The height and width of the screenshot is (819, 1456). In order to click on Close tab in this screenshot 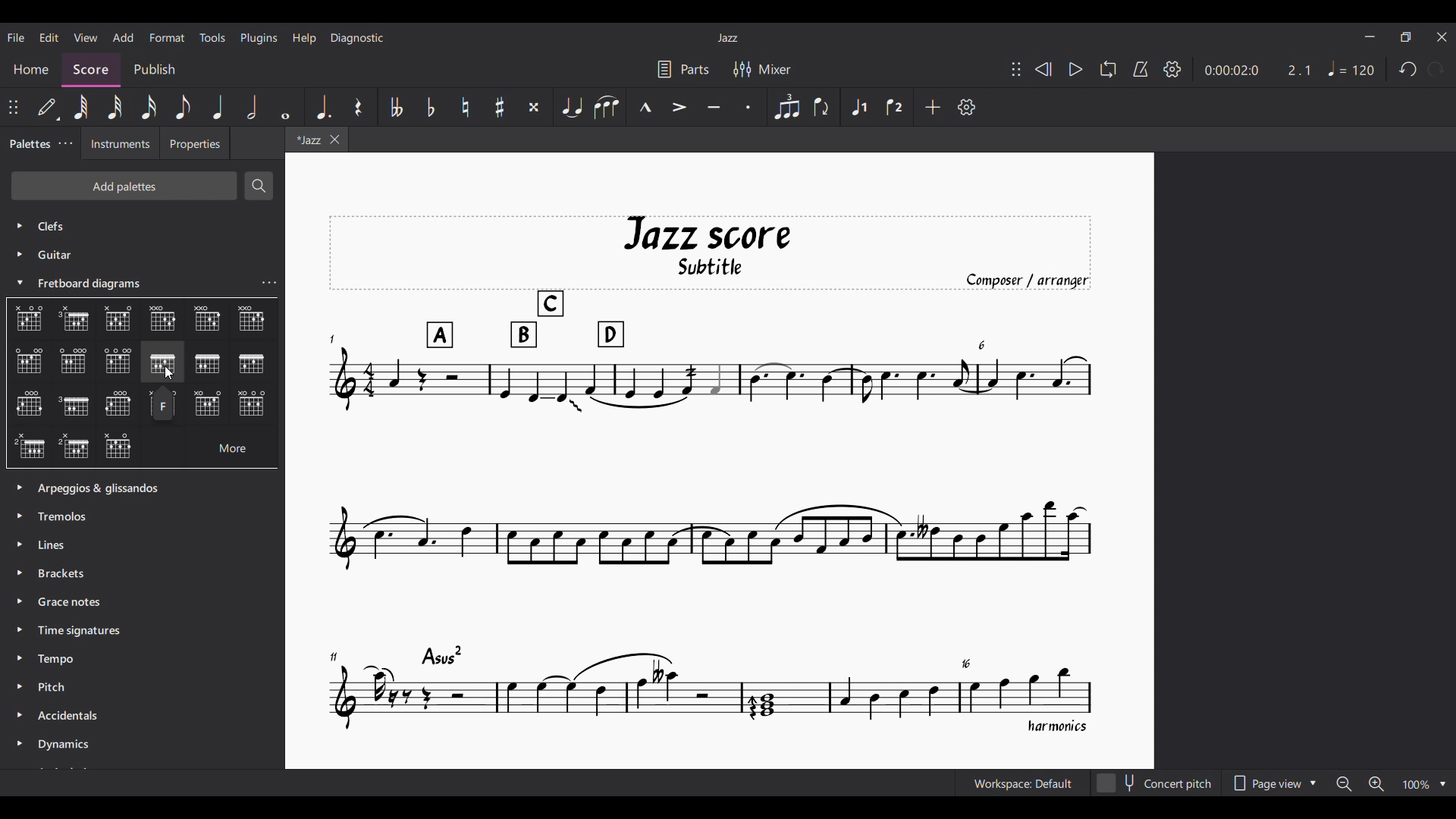, I will do `click(335, 140)`.